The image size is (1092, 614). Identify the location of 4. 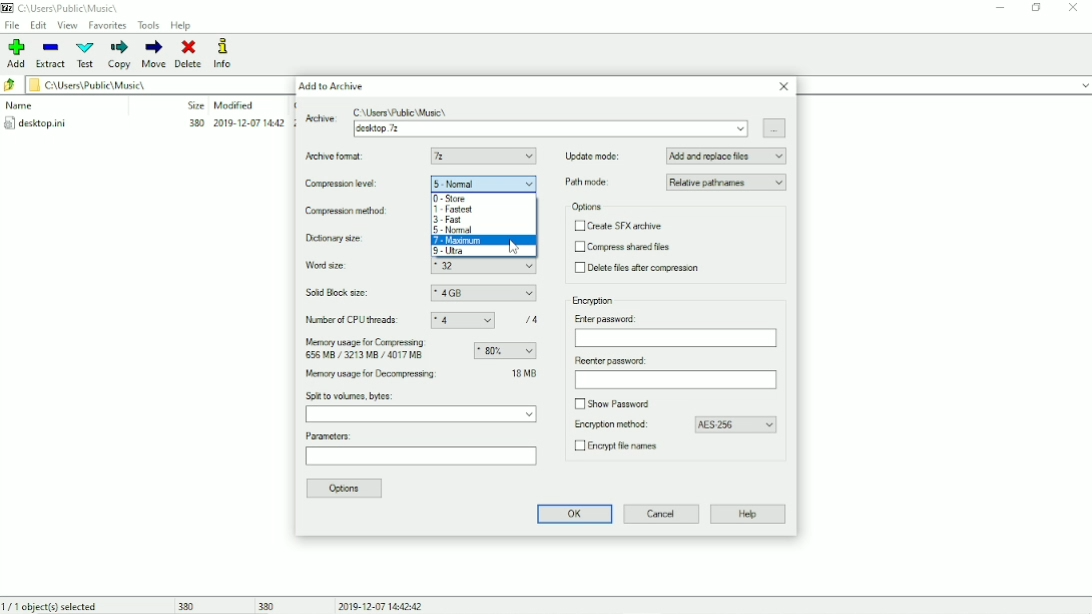
(463, 321).